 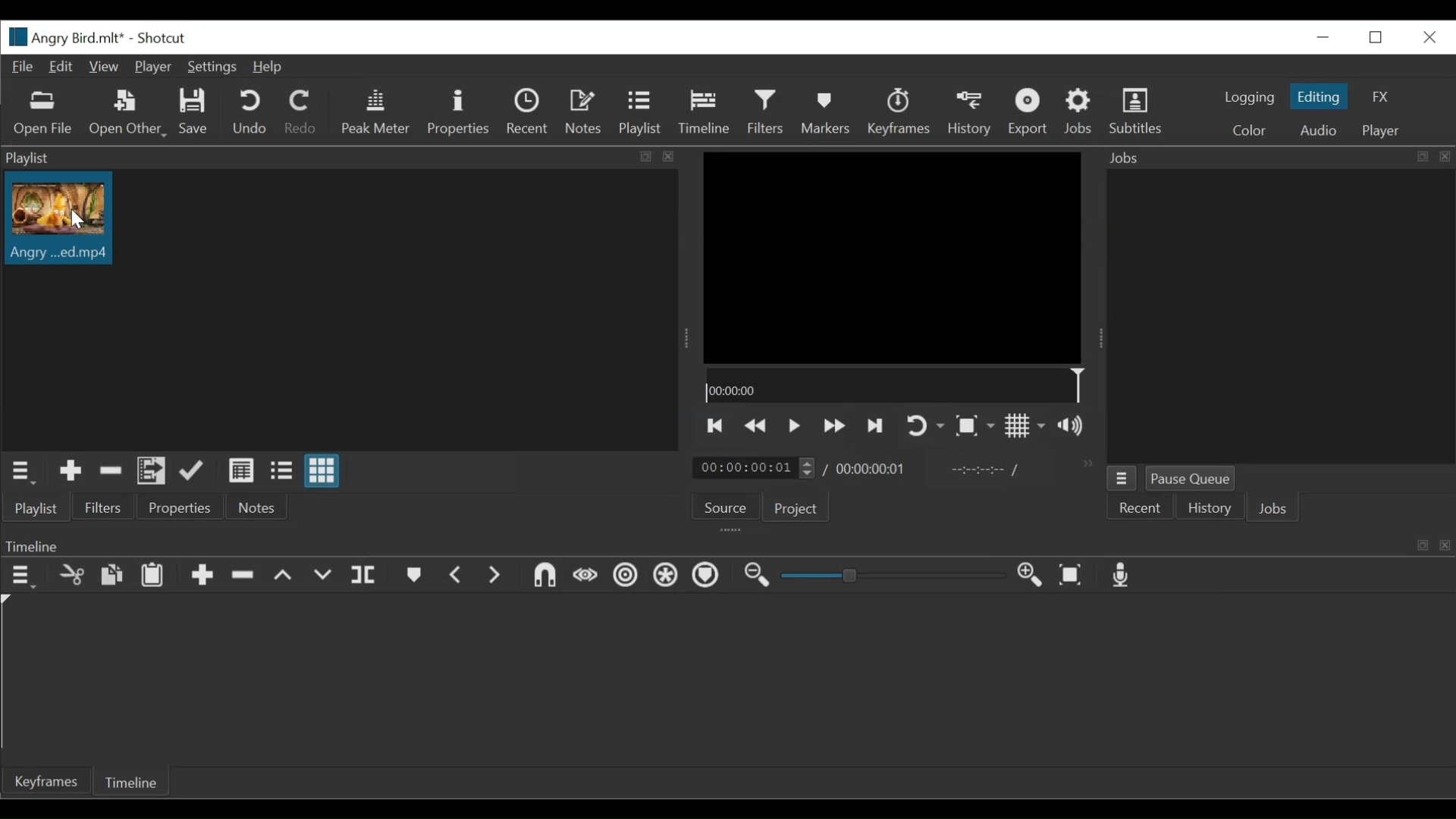 What do you see at coordinates (69, 473) in the screenshot?
I see `Add the source to the playlist` at bounding box center [69, 473].